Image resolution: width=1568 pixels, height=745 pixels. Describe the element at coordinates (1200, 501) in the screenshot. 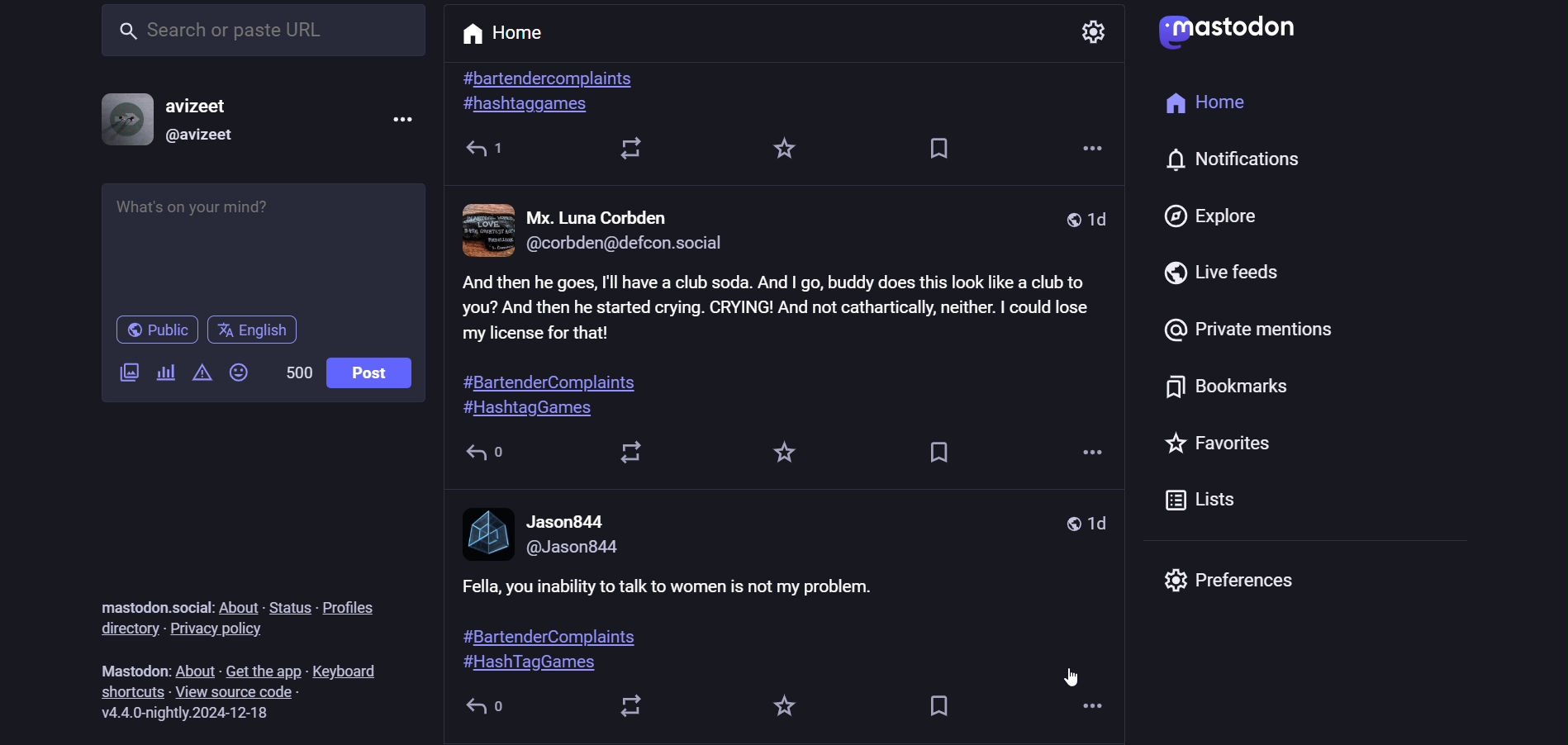

I see `lists` at that location.